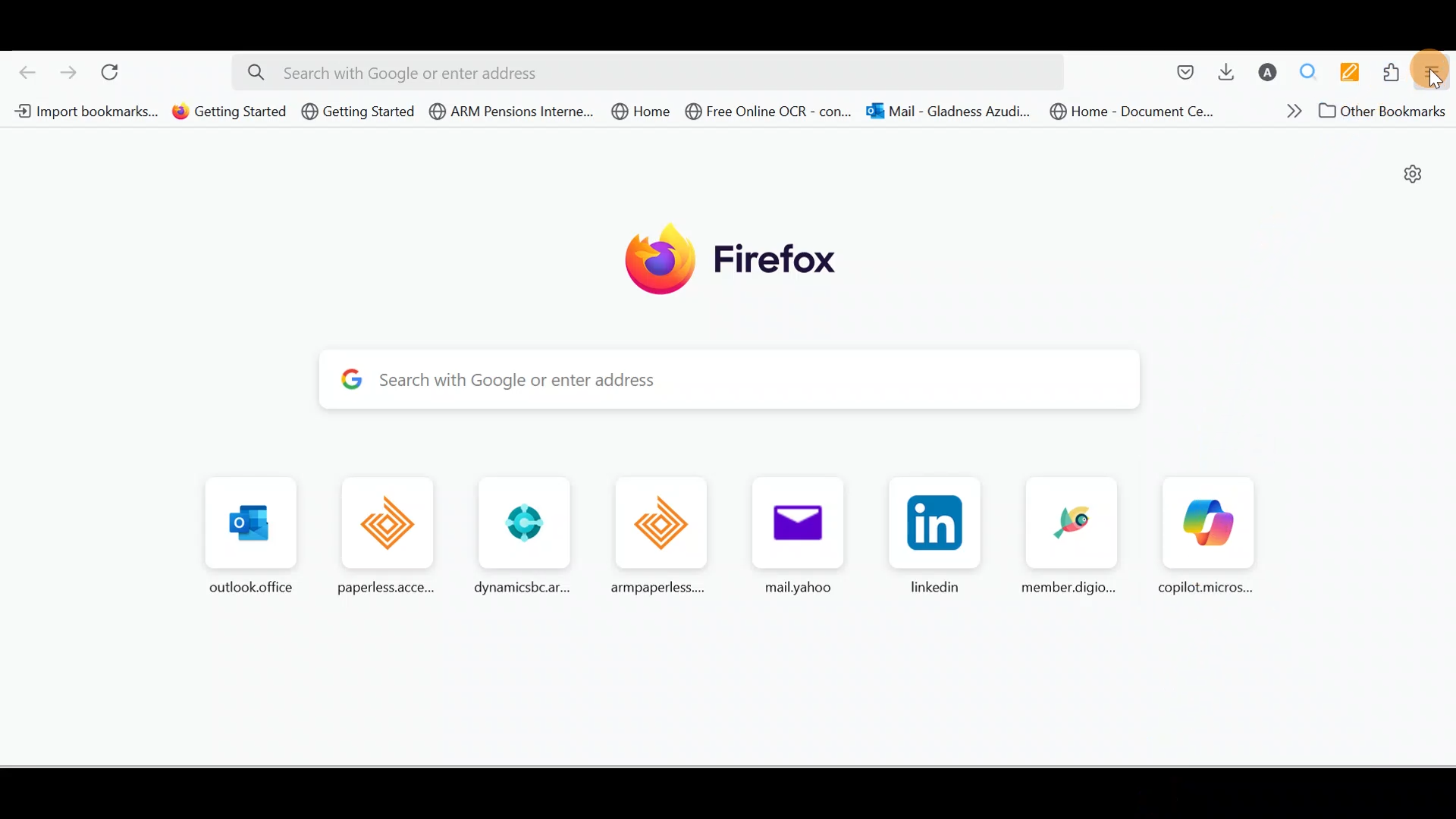  Describe the element at coordinates (730, 260) in the screenshot. I see `Firefox logo` at that location.